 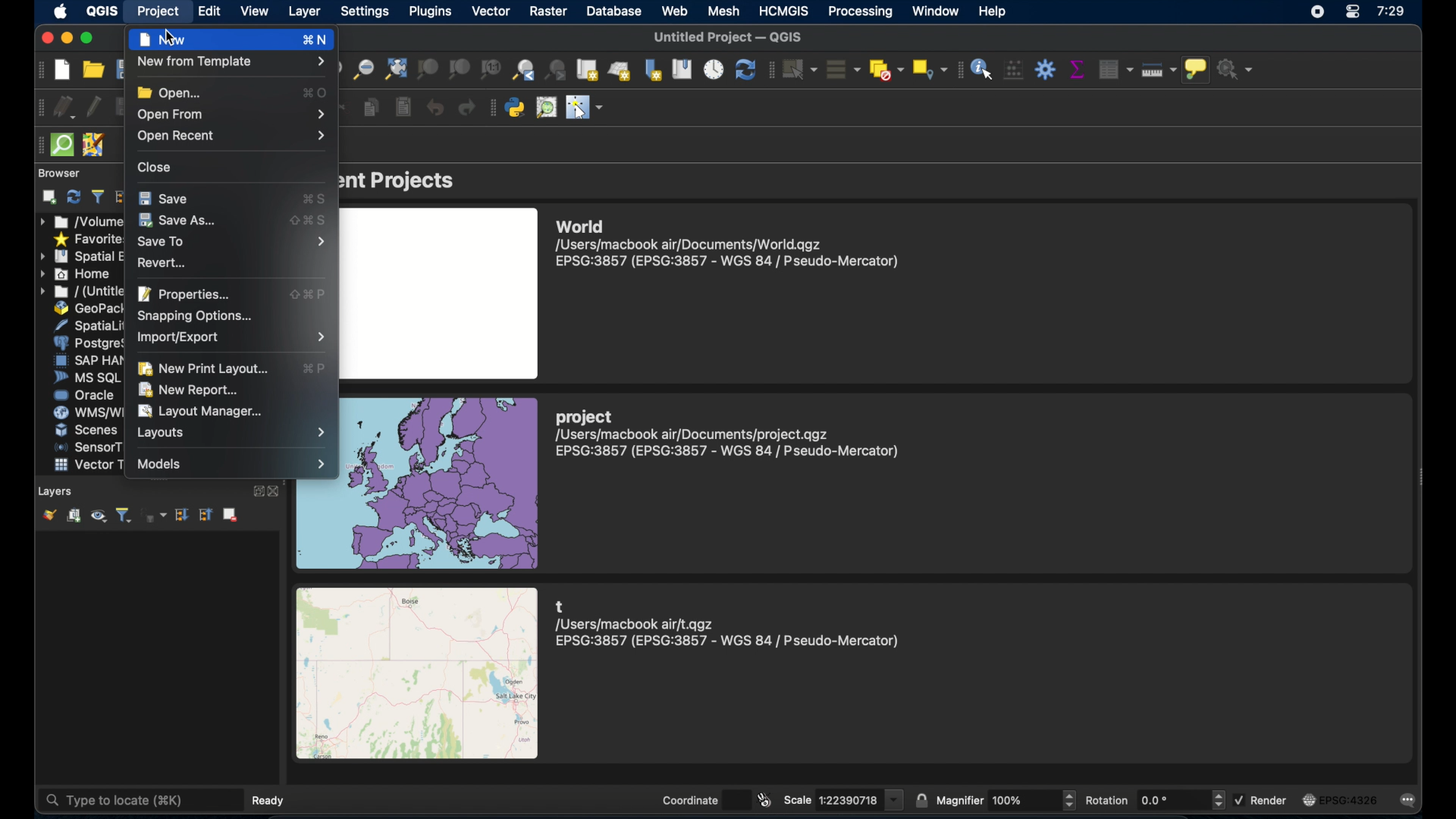 I want to click on layouts, so click(x=231, y=432).